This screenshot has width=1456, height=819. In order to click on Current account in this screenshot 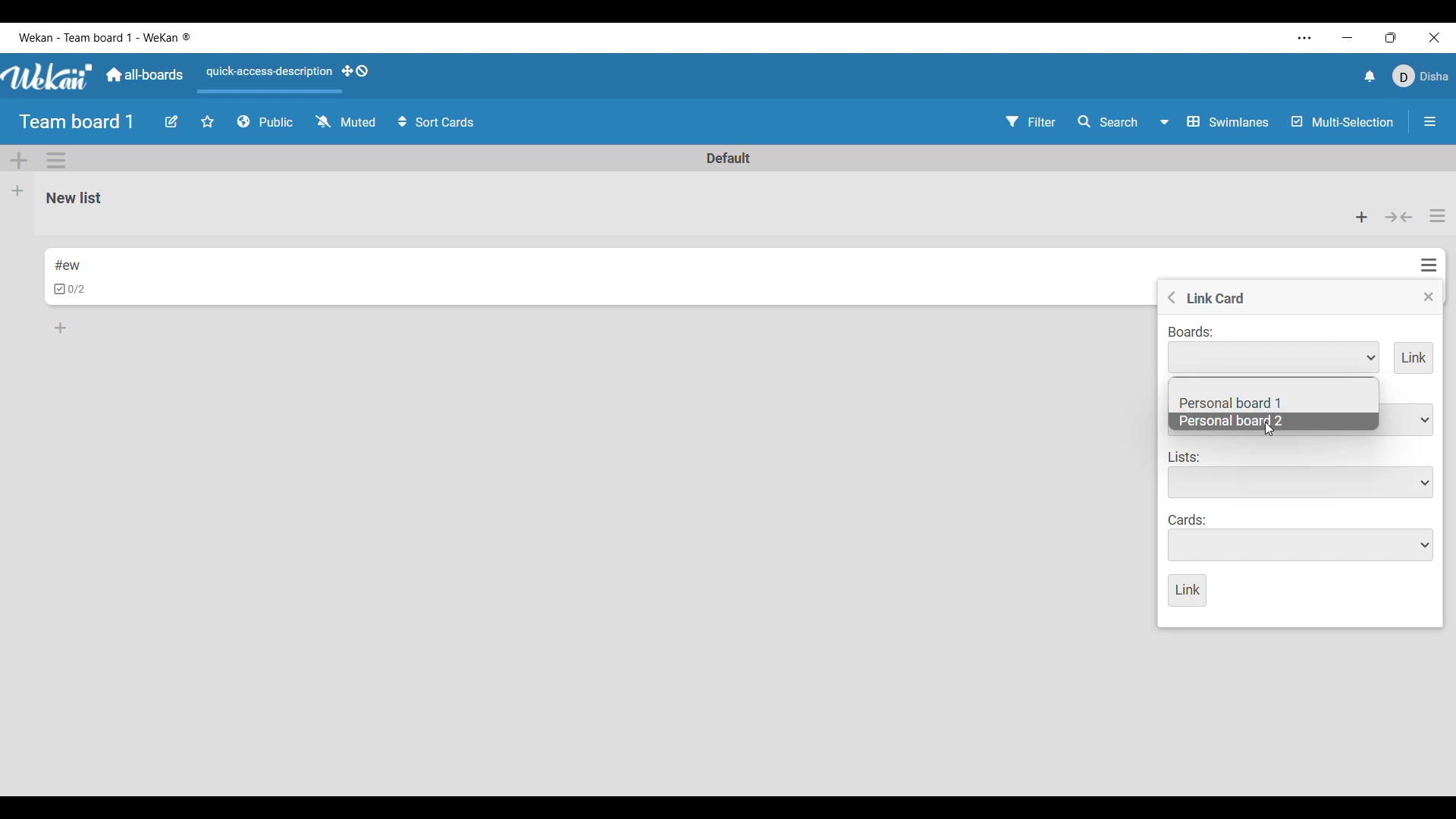, I will do `click(1420, 77)`.